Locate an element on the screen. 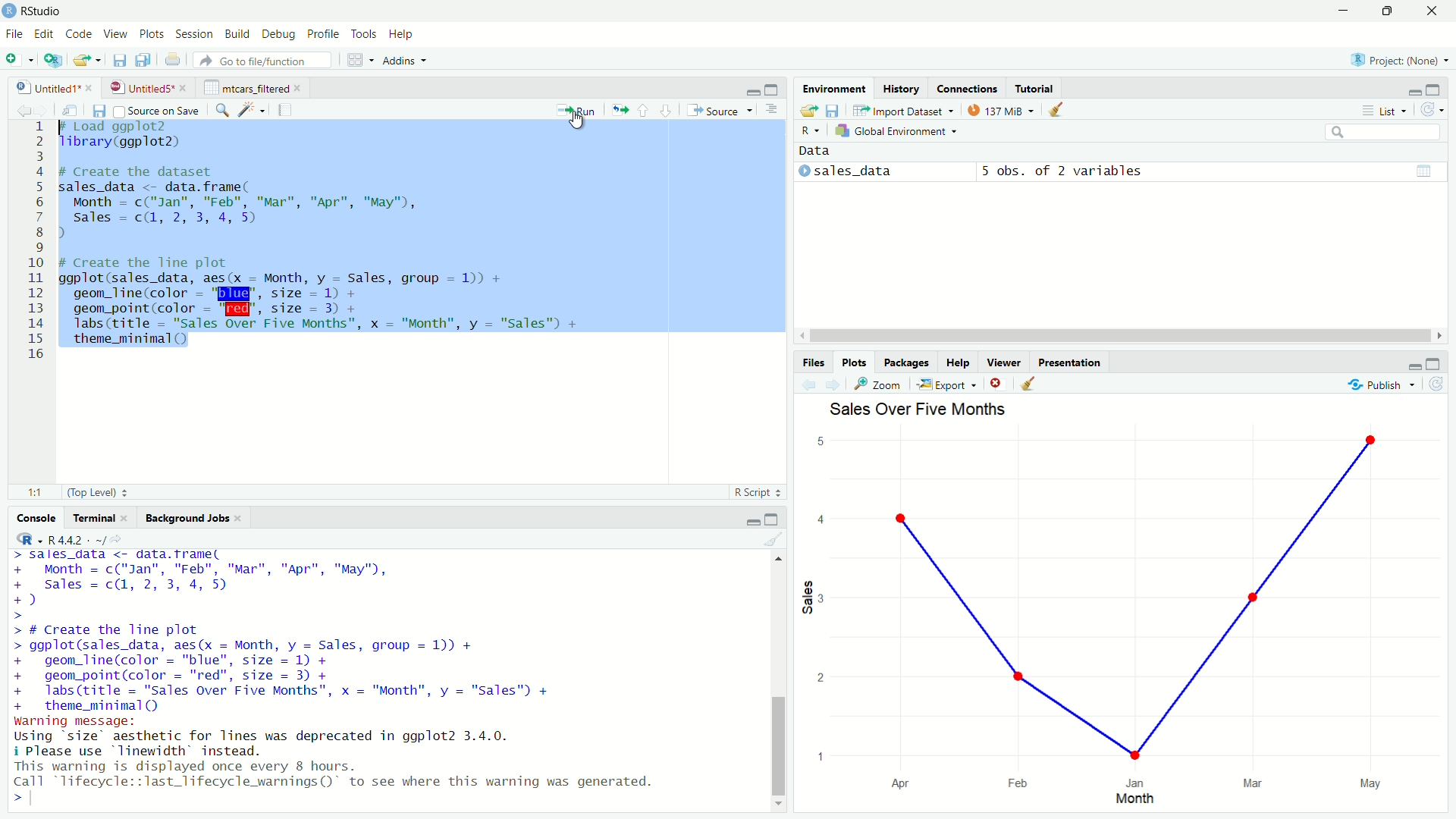 The height and width of the screenshot is (819, 1456). minimize is located at coordinates (1414, 90).